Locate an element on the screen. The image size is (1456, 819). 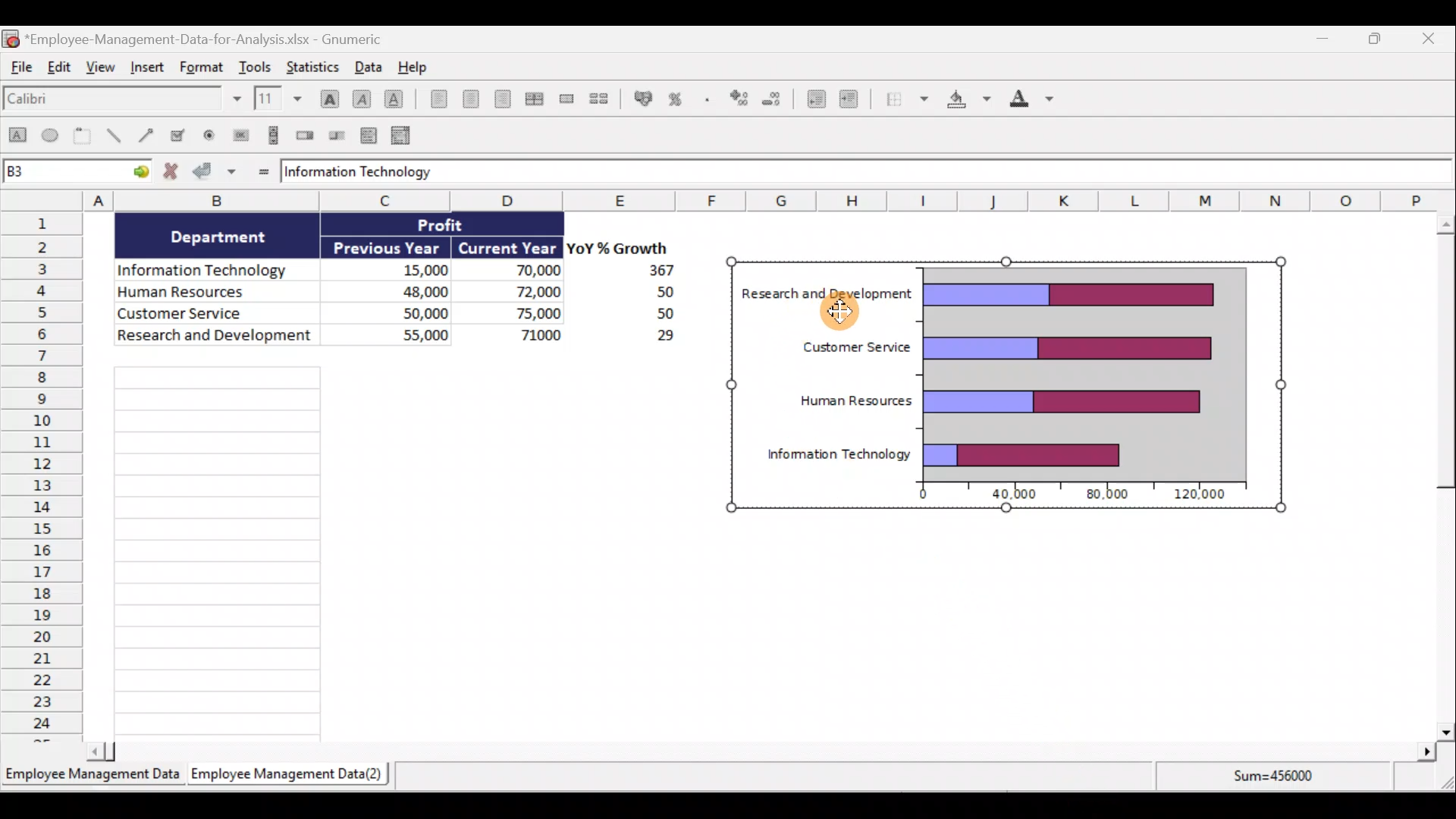
Cell name is located at coordinates (77, 168).